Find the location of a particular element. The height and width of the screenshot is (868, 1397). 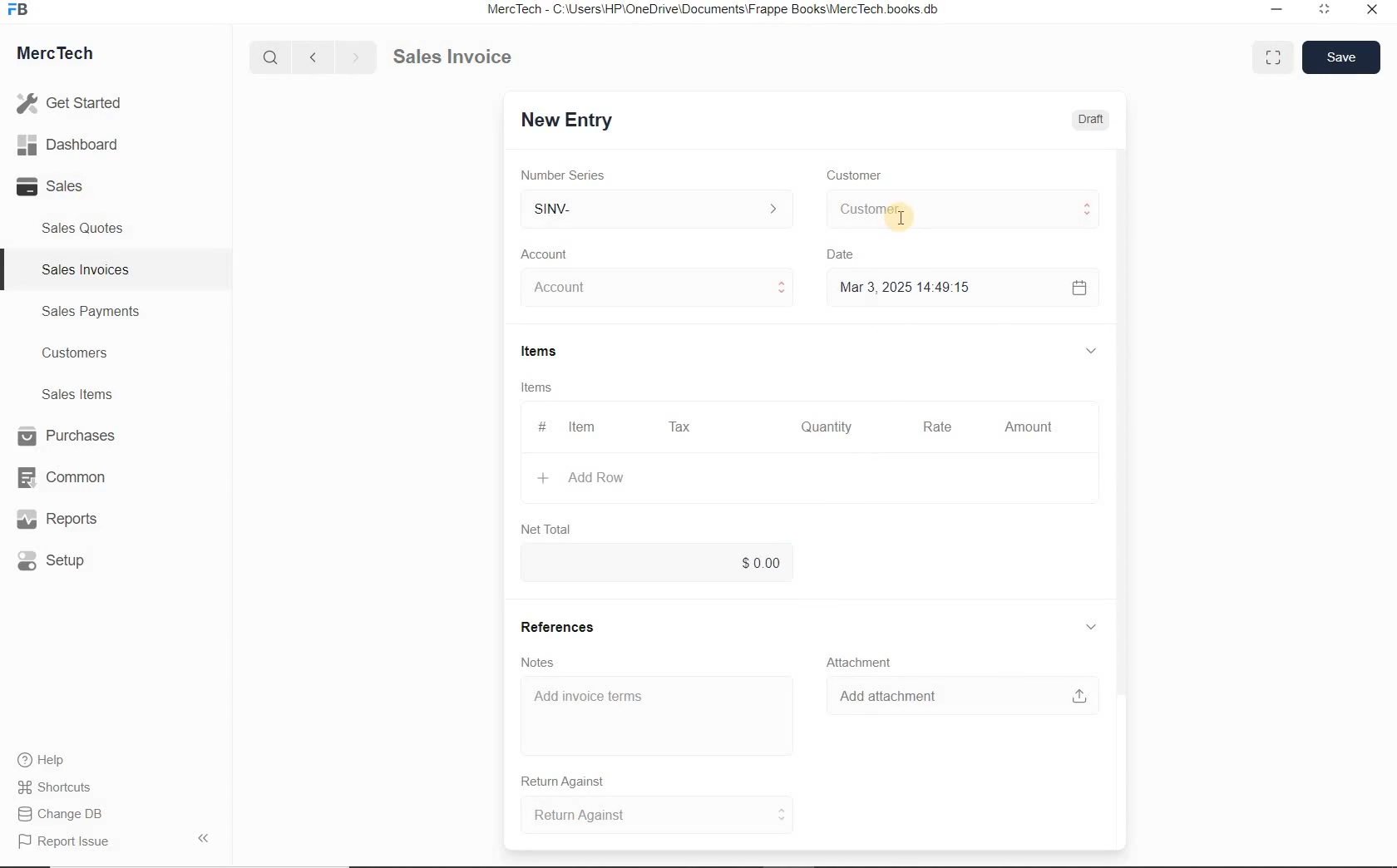

Account is located at coordinates (548, 254).